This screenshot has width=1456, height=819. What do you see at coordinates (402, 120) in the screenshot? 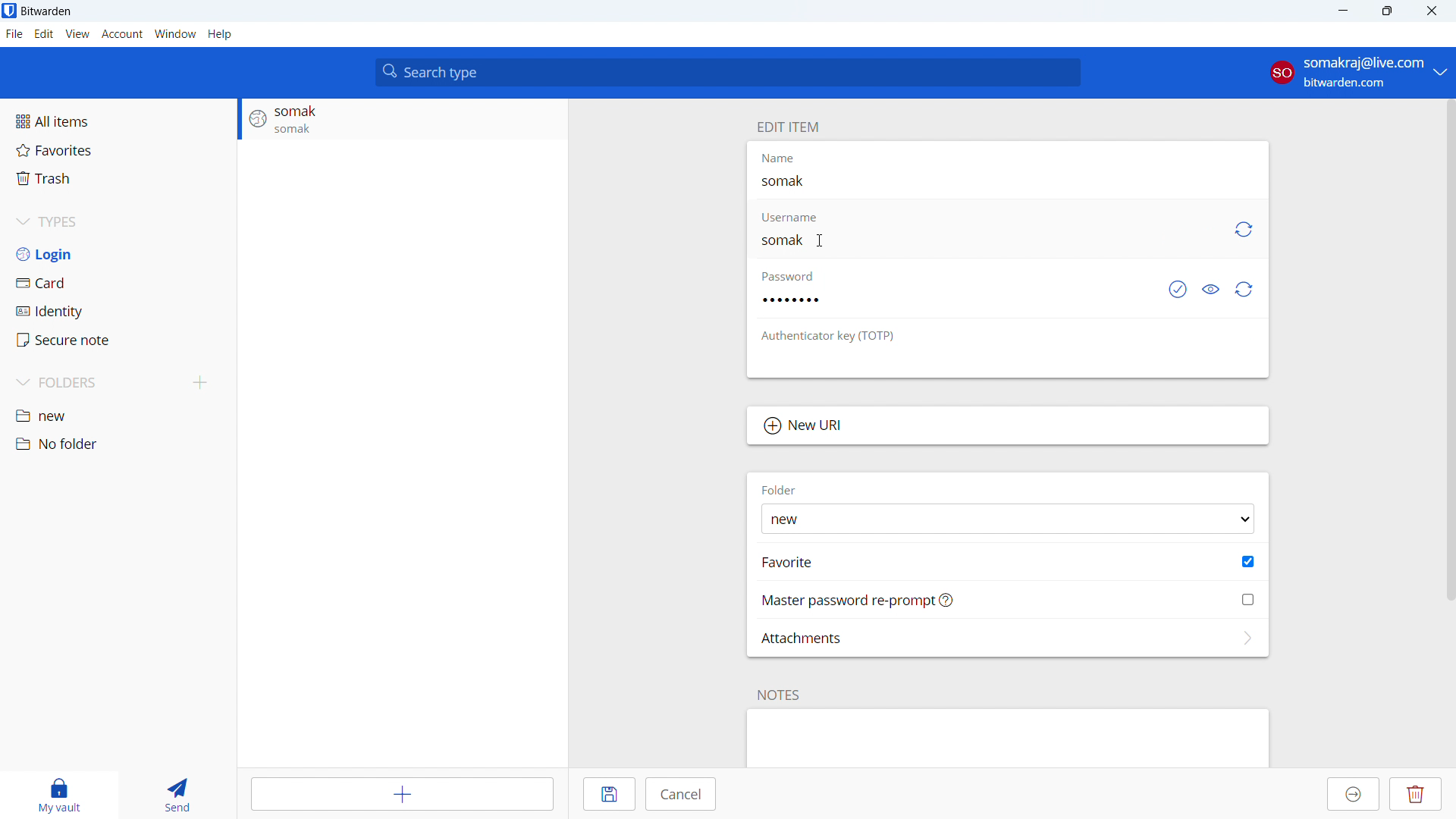
I see `login entry` at bounding box center [402, 120].